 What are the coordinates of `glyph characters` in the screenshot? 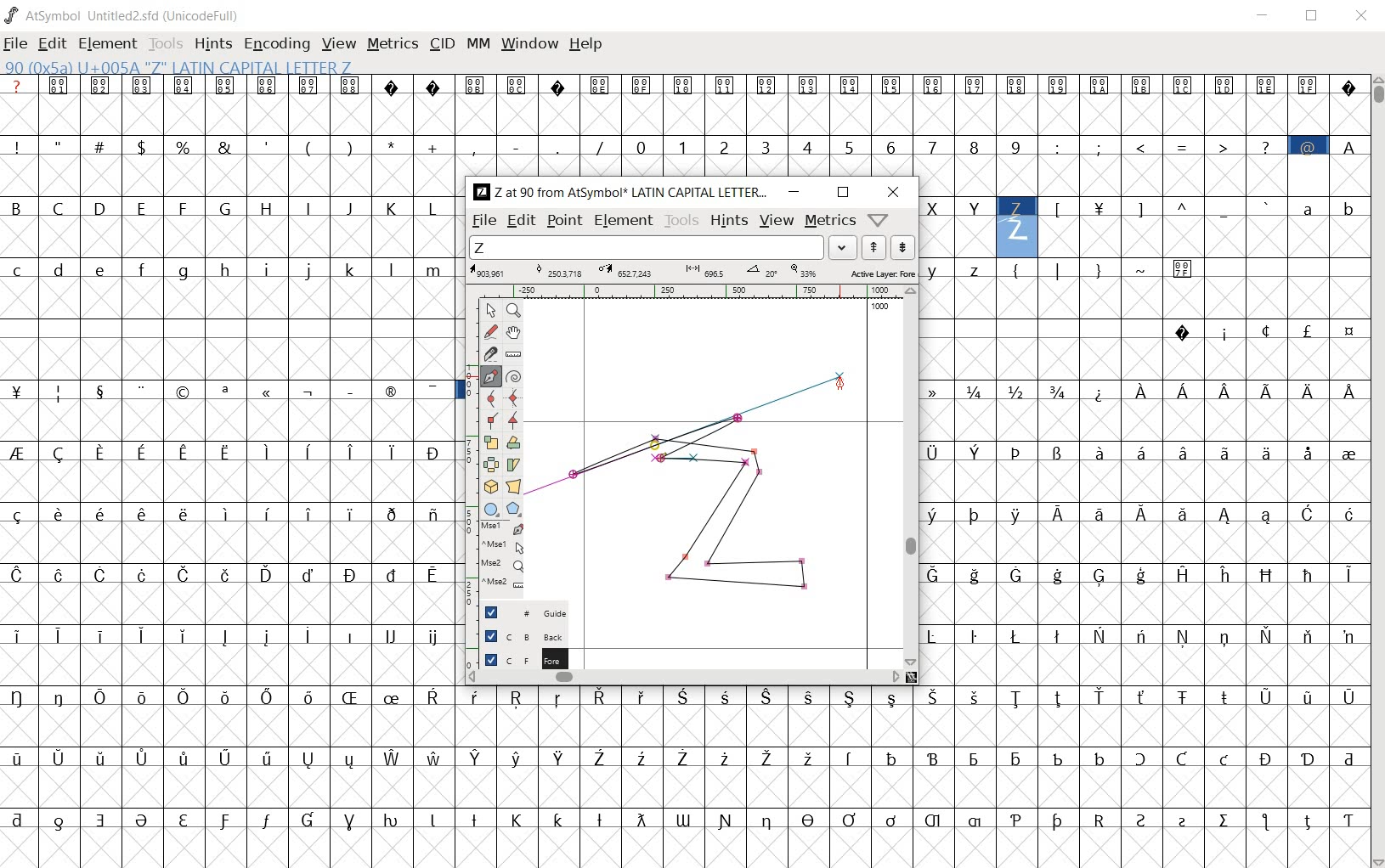 It's located at (1144, 471).